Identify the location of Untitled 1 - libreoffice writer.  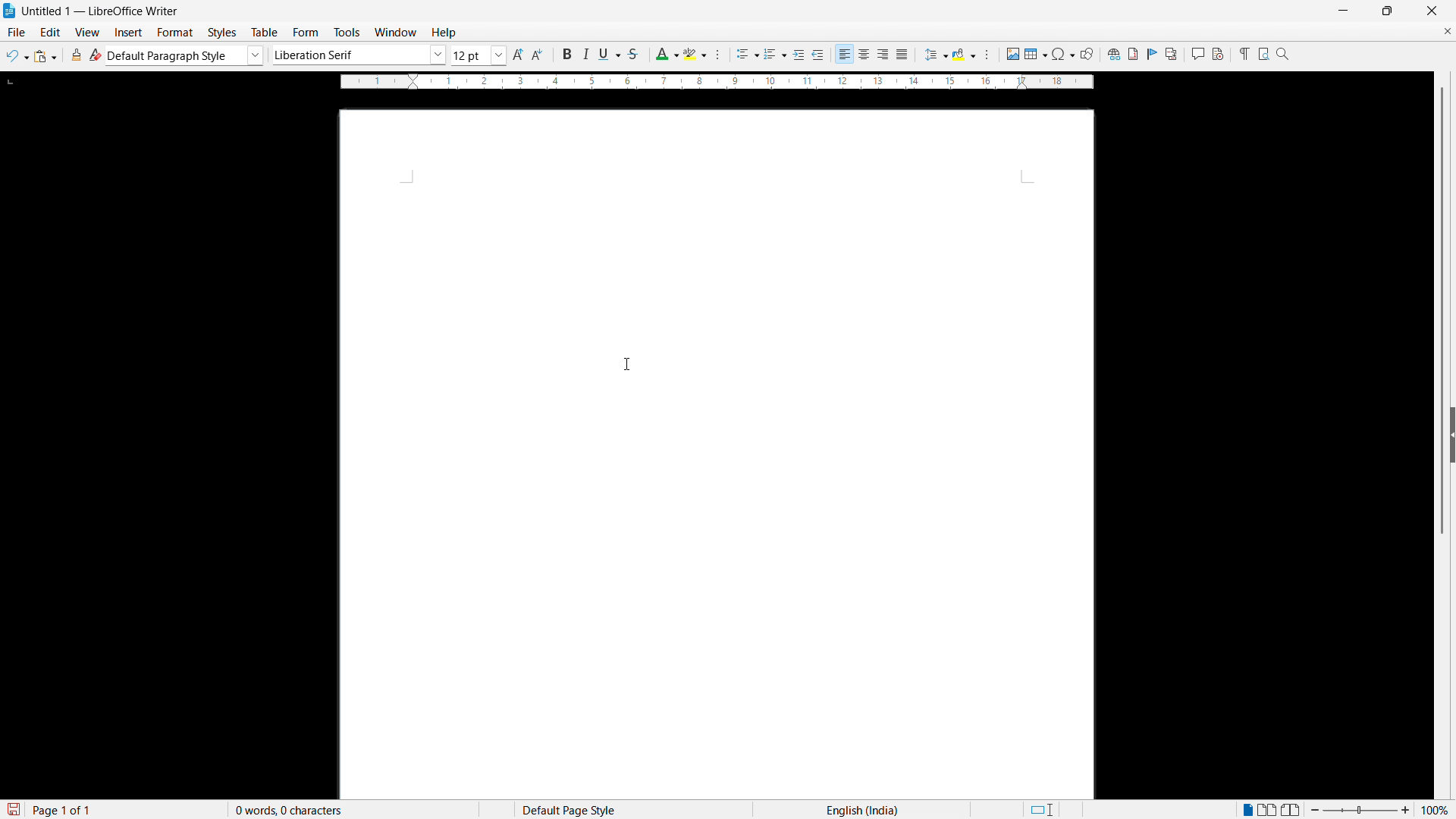
(100, 12).